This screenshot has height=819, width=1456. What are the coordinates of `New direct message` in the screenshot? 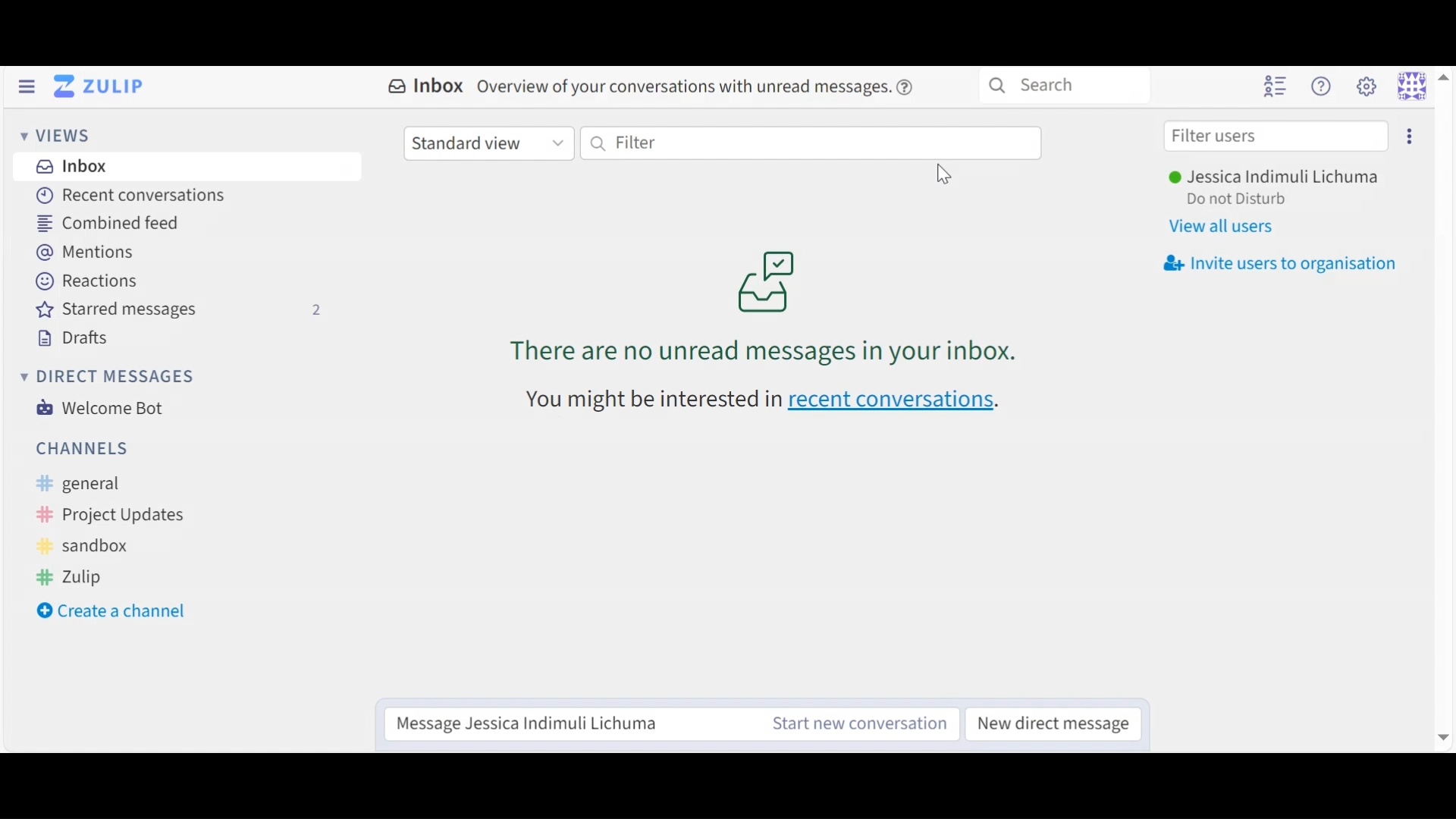 It's located at (1049, 722).